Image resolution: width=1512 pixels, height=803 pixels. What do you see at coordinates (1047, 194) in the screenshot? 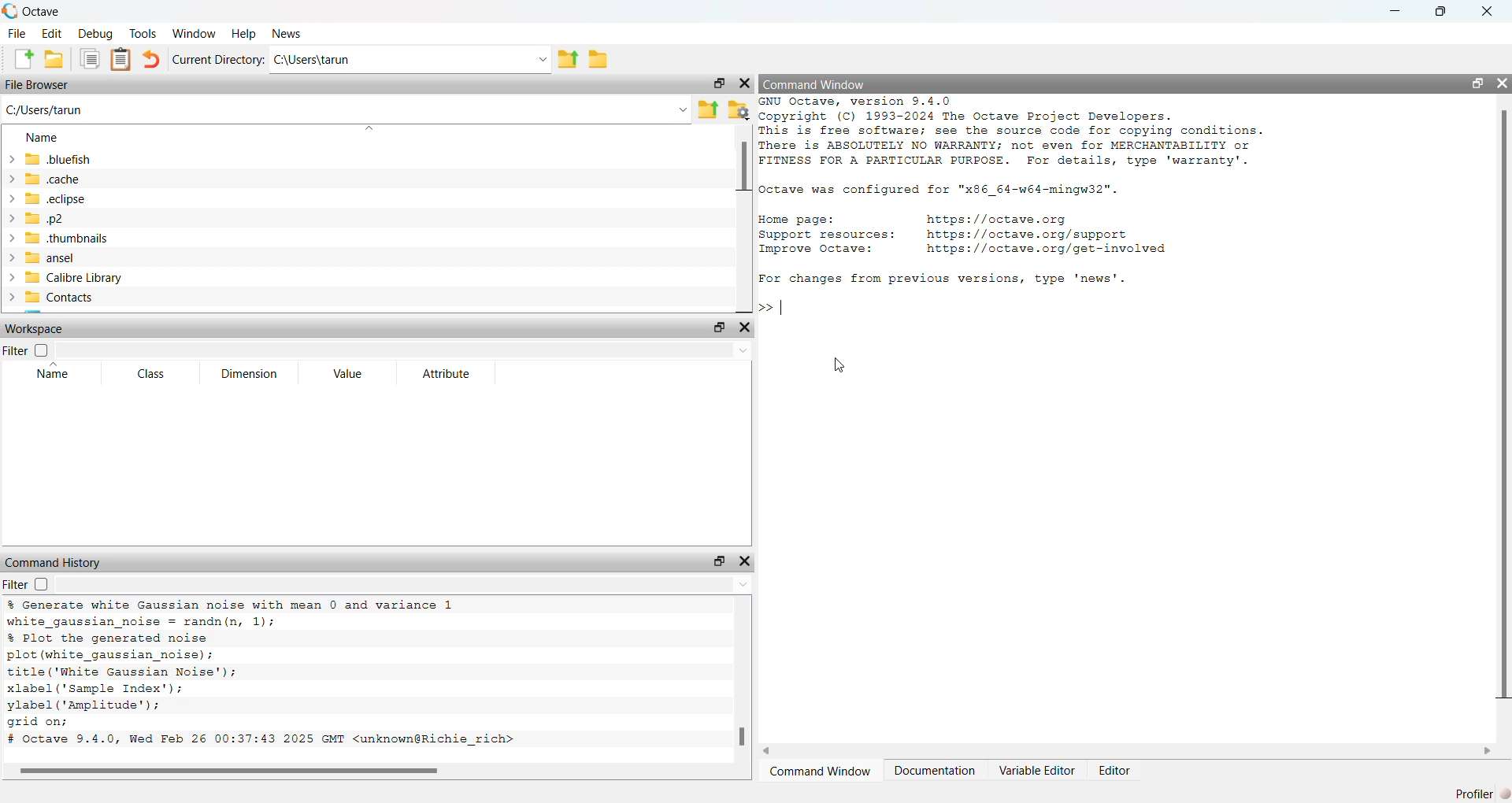
I see `GNU Octave, version 9.4.0

Copyright (C) 1993-2024 The Octave Project Developers.

This is free software; see the source code for copying conditions.
There is ABSOLUTELY NO WARRANTY; not even for MERCHANTABILITY or
FITNESS FOR A PARTICULAR PURPOSE. For details, type 'warranty'.
Octave was configured for "x86_64-w64-mingw32".

Home page: https://octave.org

Support resources:  https://octave.org/support

Improve Octave: https://octave.org/get-involved

For changes from previous versions, type 'news'.` at bounding box center [1047, 194].